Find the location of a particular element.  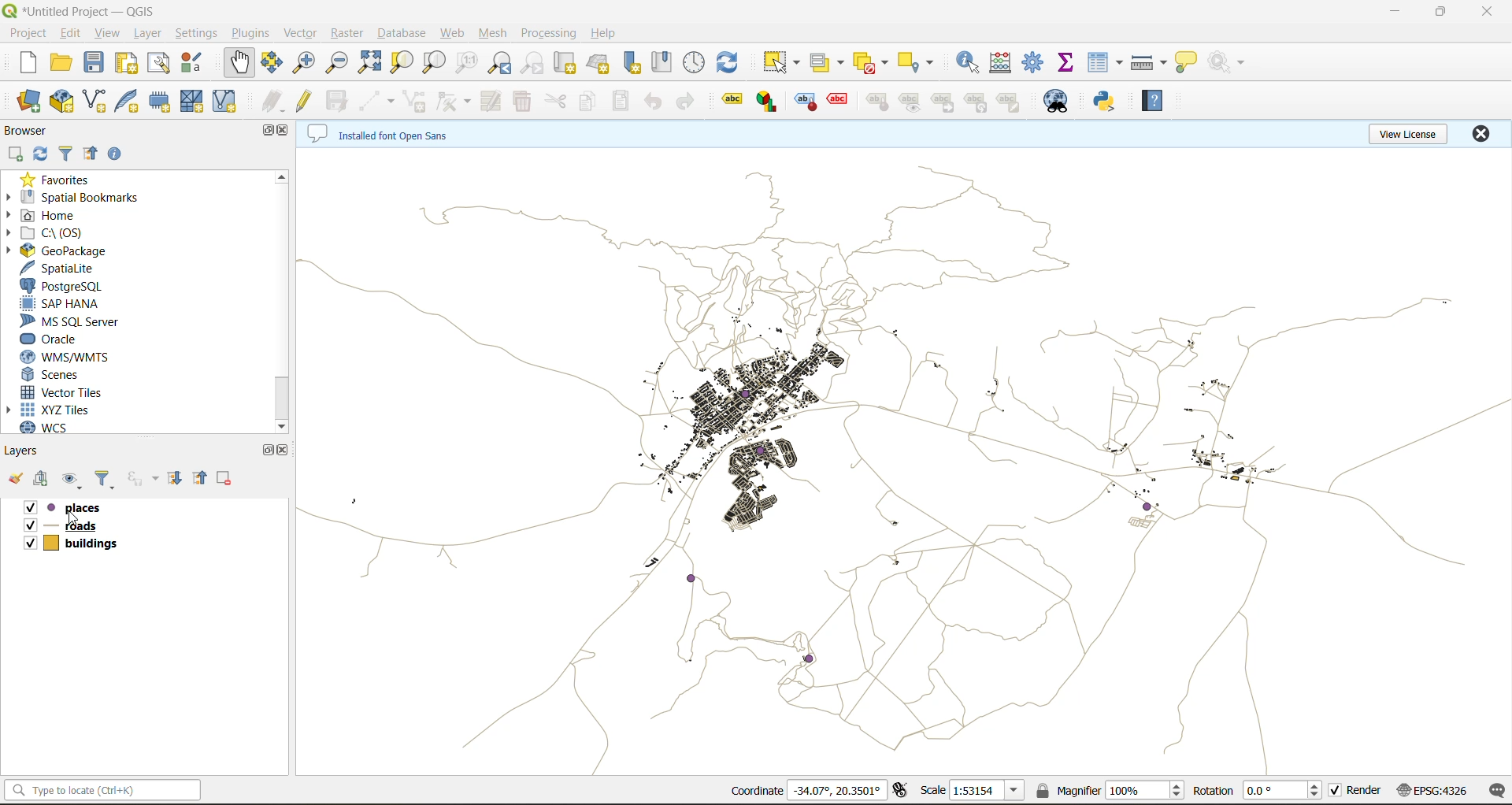

redo is located at coordinates (689, 102).